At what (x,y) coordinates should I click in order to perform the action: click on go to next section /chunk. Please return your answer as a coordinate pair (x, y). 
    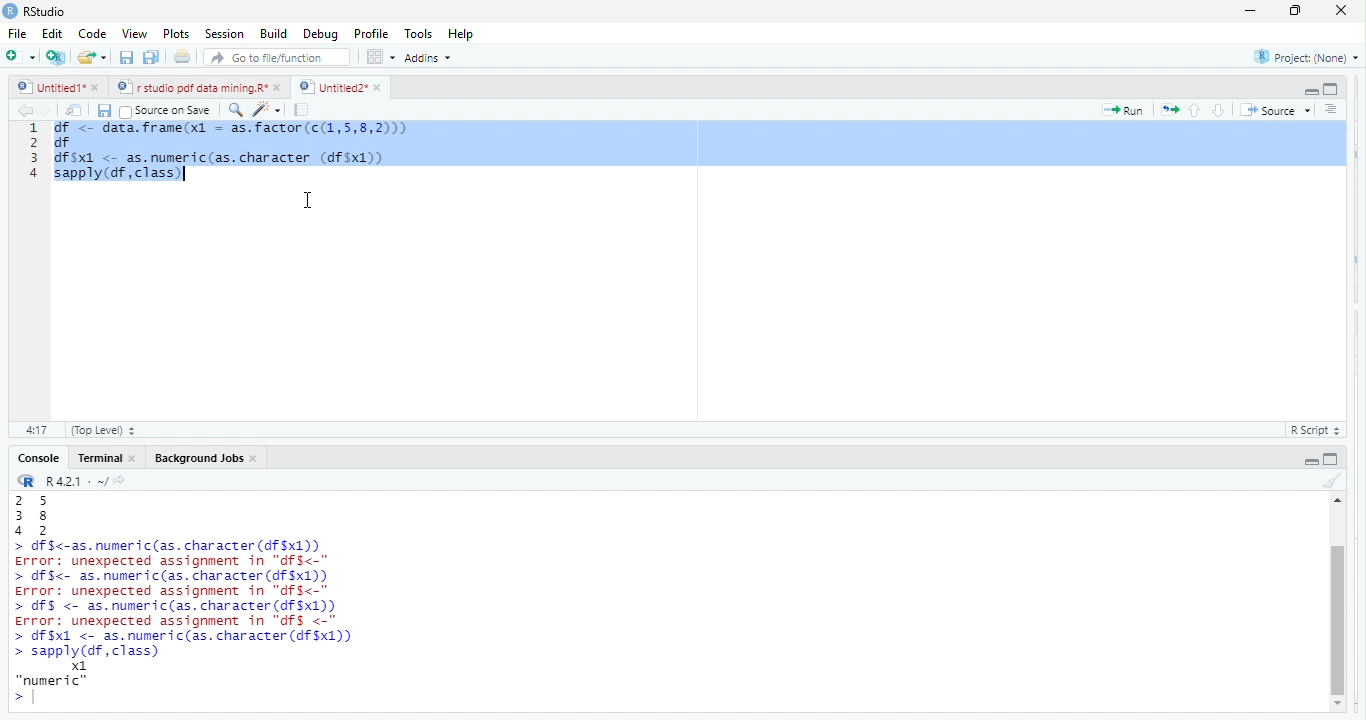
    Looking at the image, I should click on (1220, 112).